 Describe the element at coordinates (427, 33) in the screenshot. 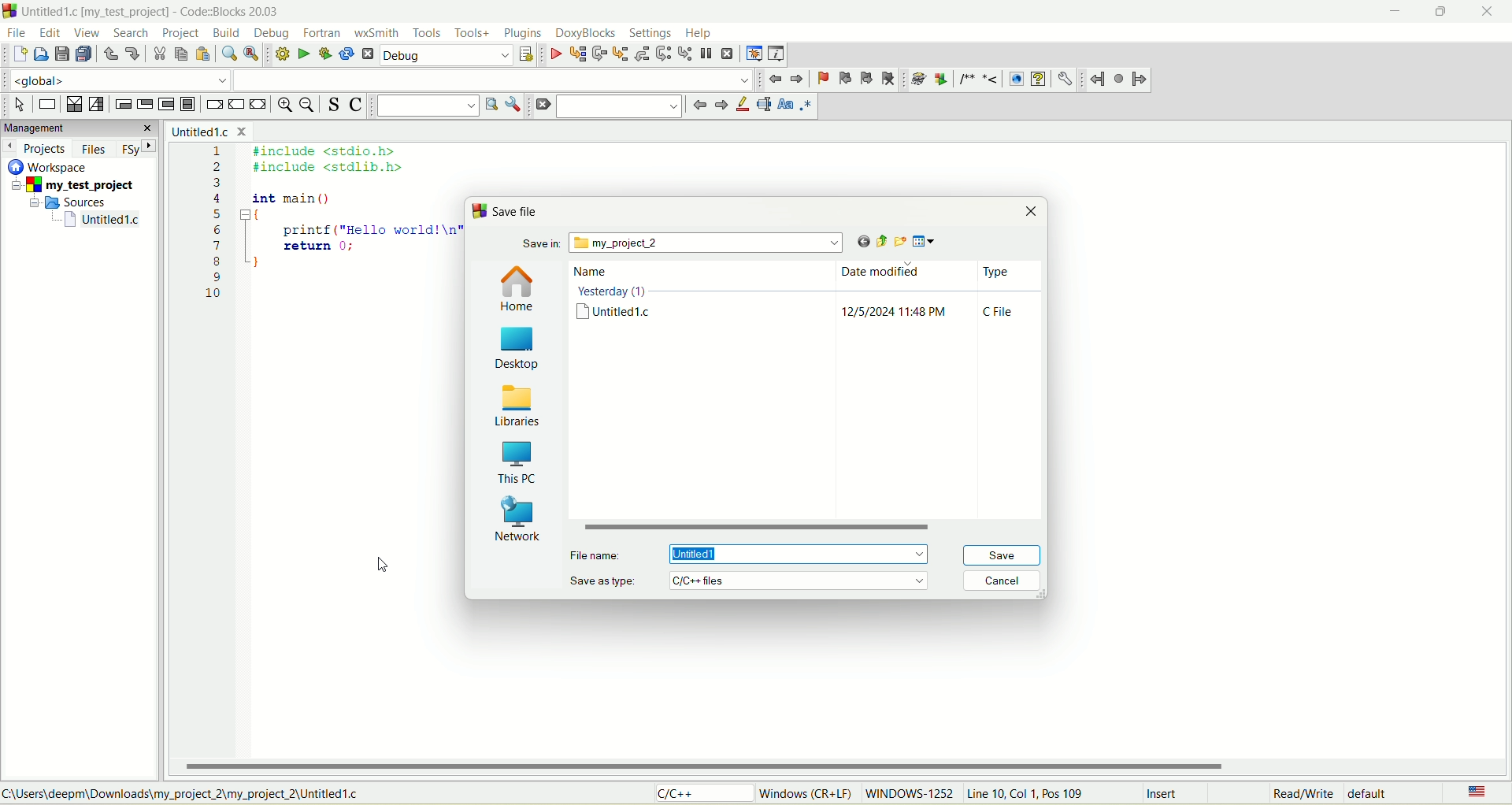

I see `tools` at that location.